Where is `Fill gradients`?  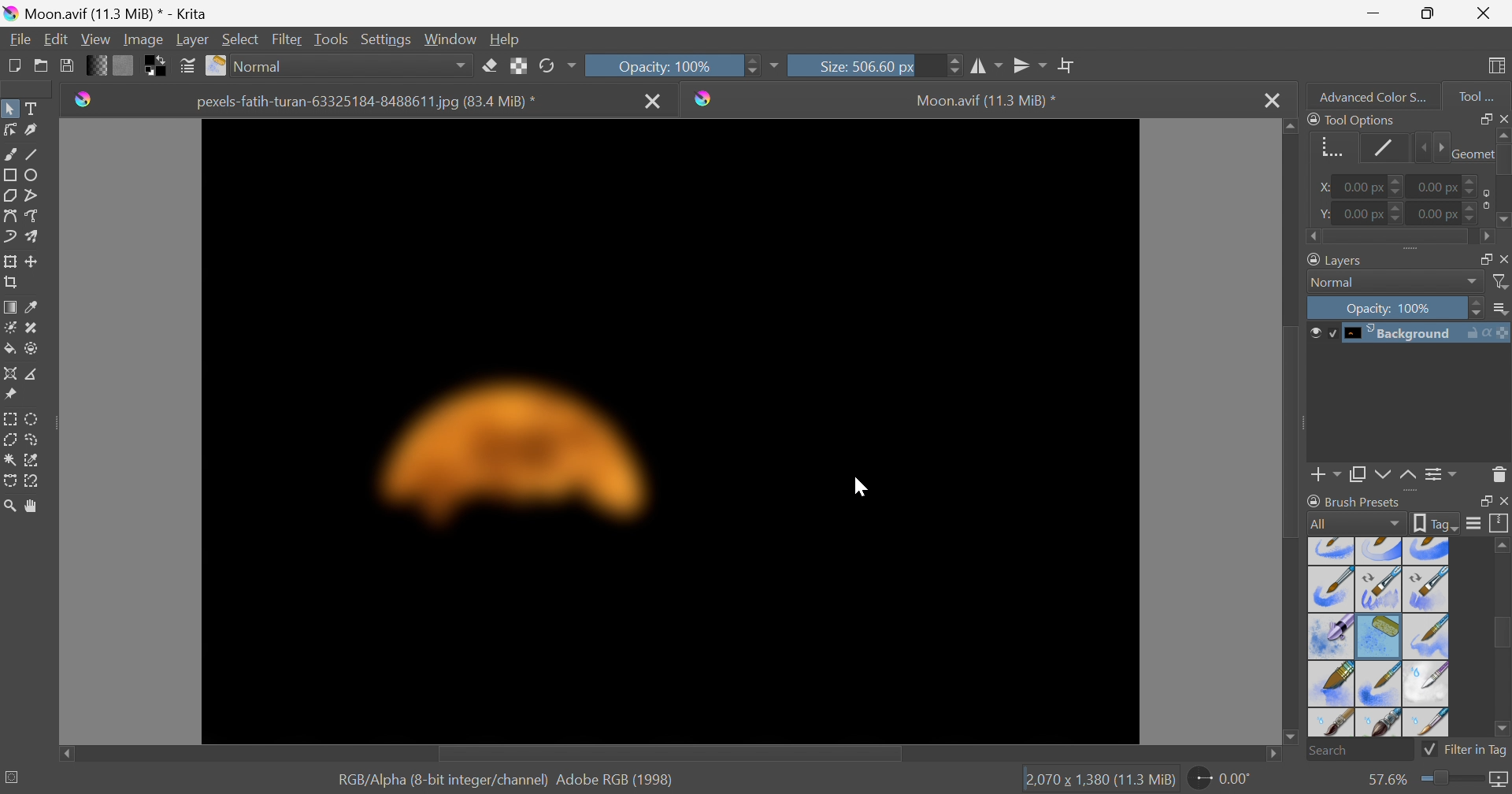
Fill gradients is located at coordinates (94, 65).